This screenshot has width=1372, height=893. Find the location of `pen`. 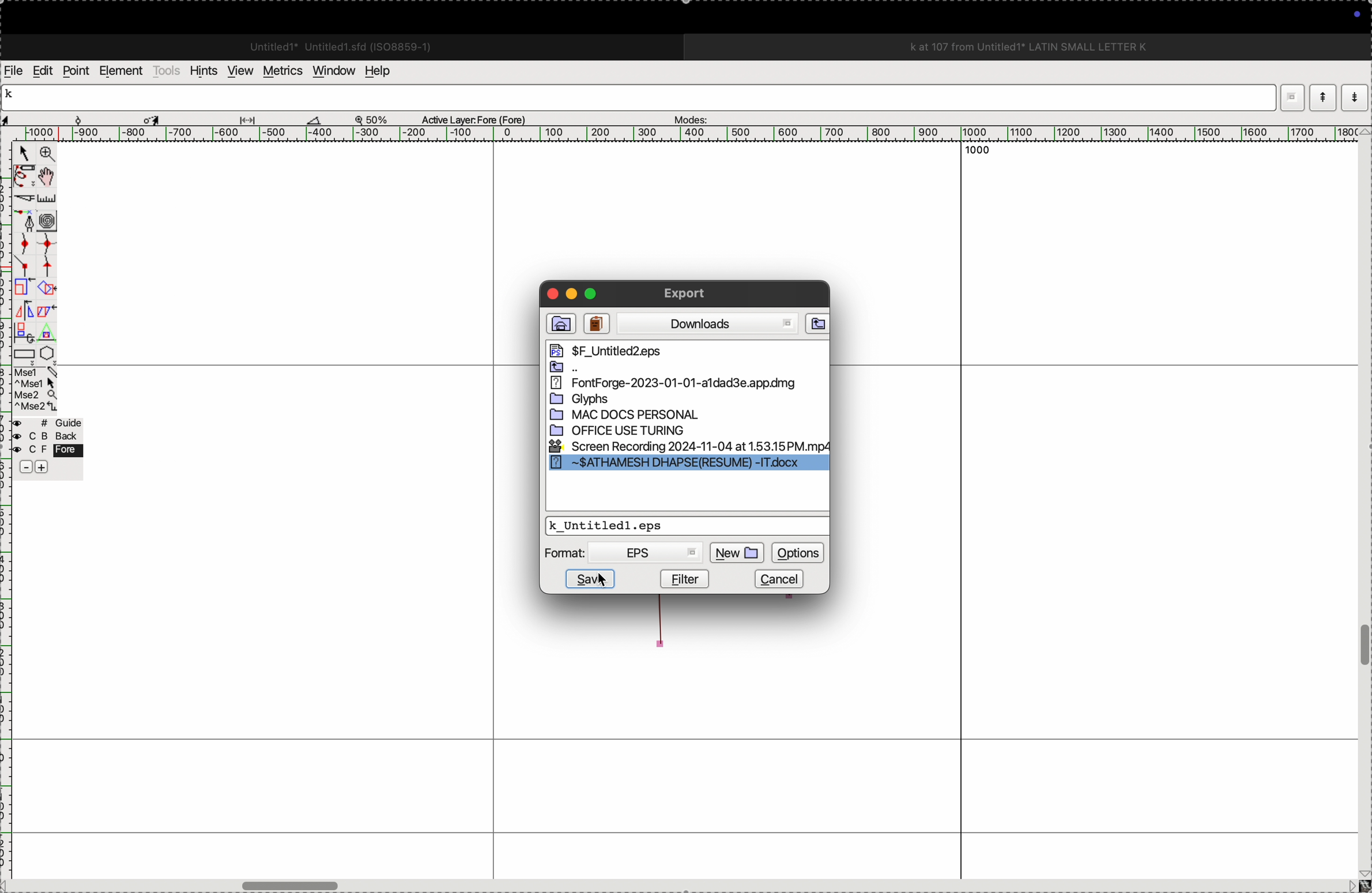

pen is located at coordinates (24, 176).